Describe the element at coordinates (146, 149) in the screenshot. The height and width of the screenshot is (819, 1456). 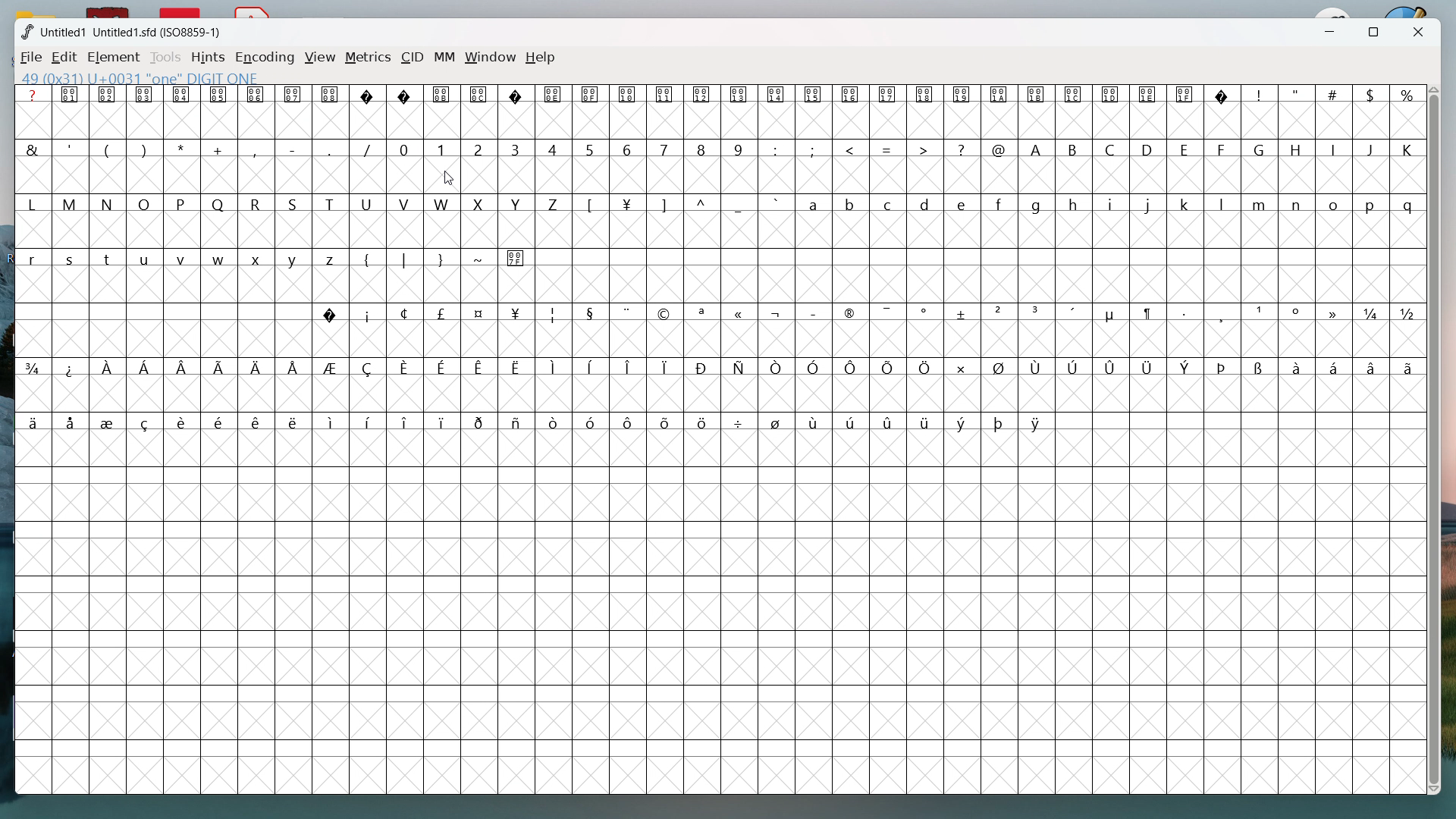
I see `)` at that location.